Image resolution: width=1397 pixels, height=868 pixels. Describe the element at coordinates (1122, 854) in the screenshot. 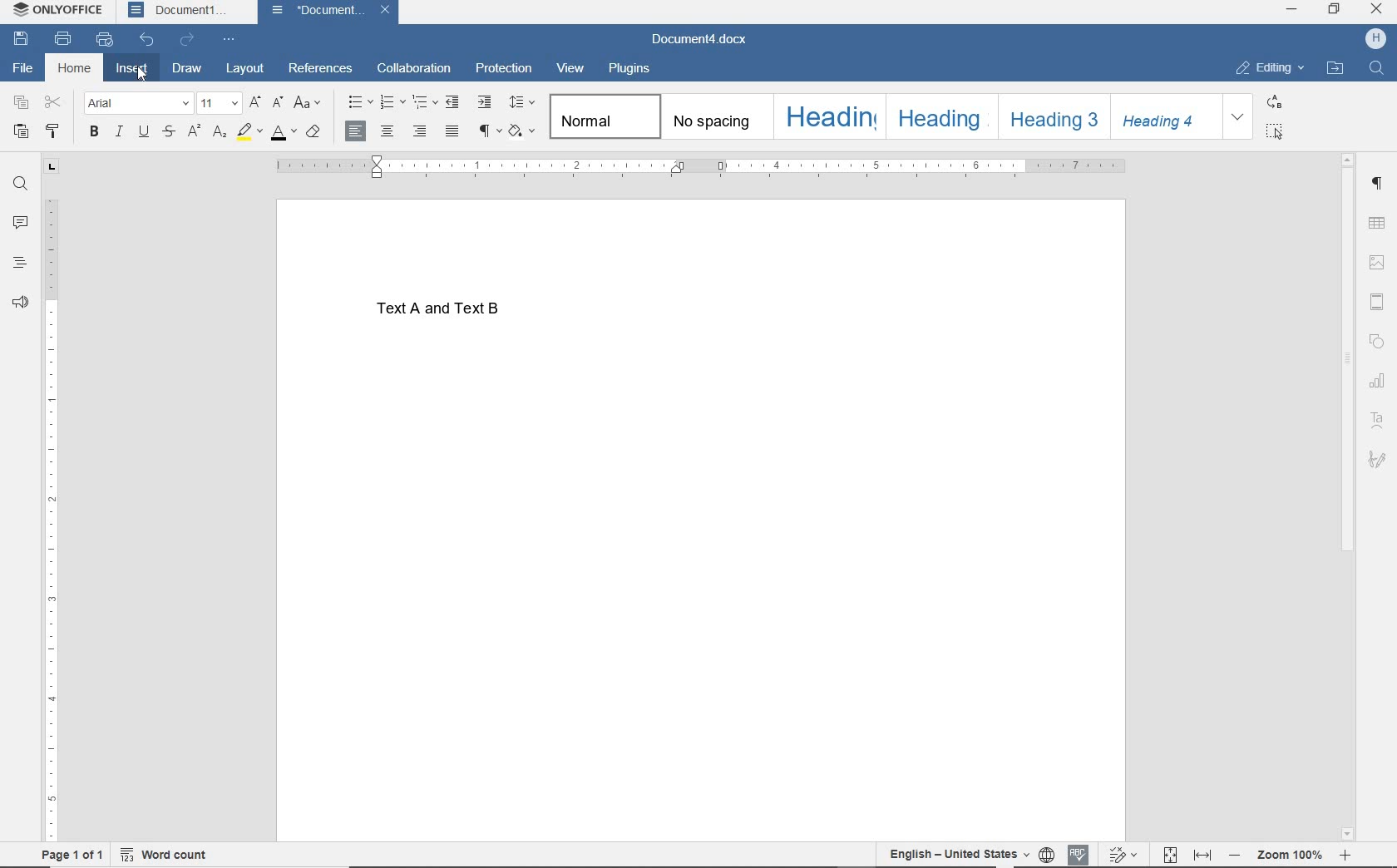

I see `TRACK CHANGES` at that location.